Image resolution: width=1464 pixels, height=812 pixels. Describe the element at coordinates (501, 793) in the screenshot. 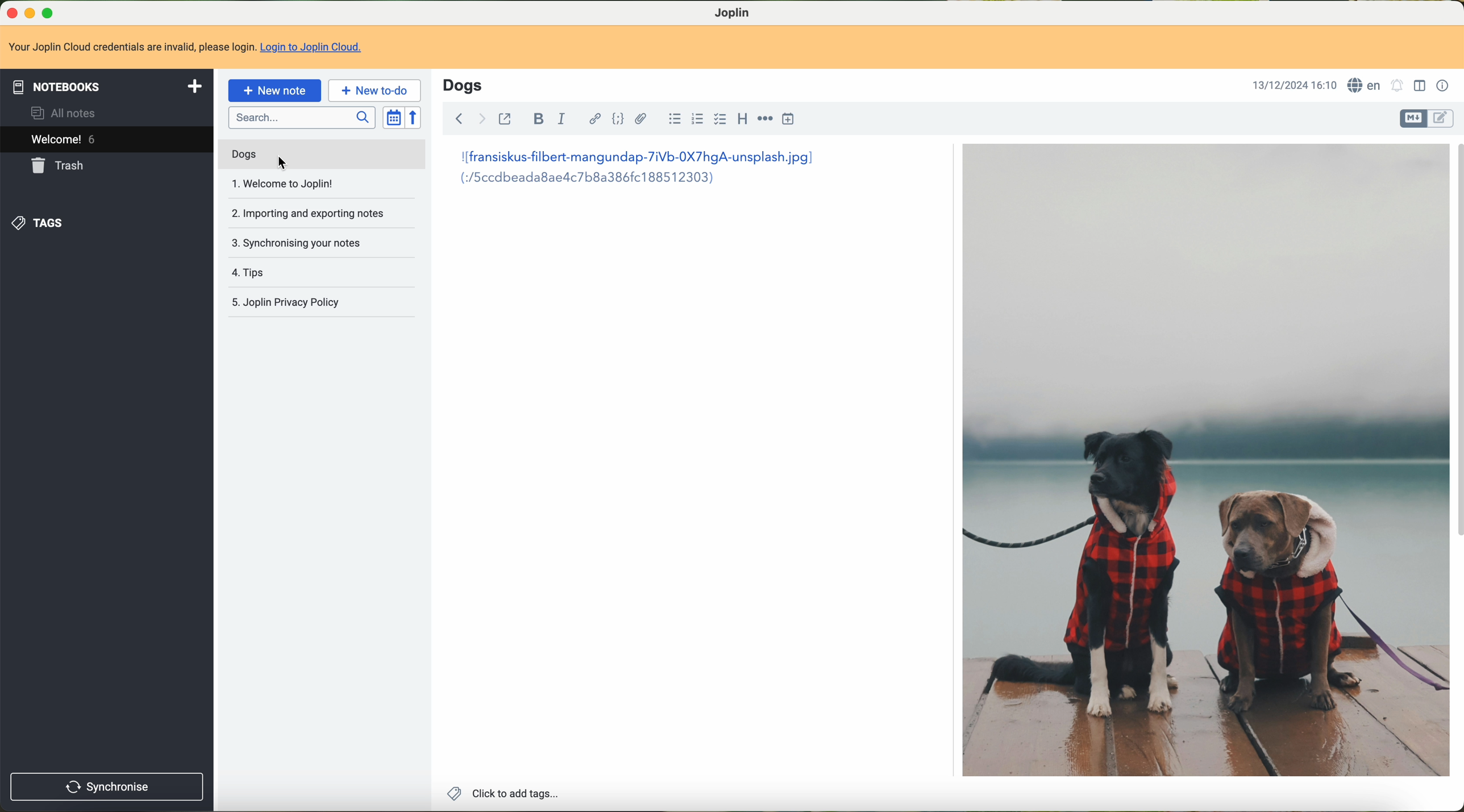

I see `click to add tags` at that location.